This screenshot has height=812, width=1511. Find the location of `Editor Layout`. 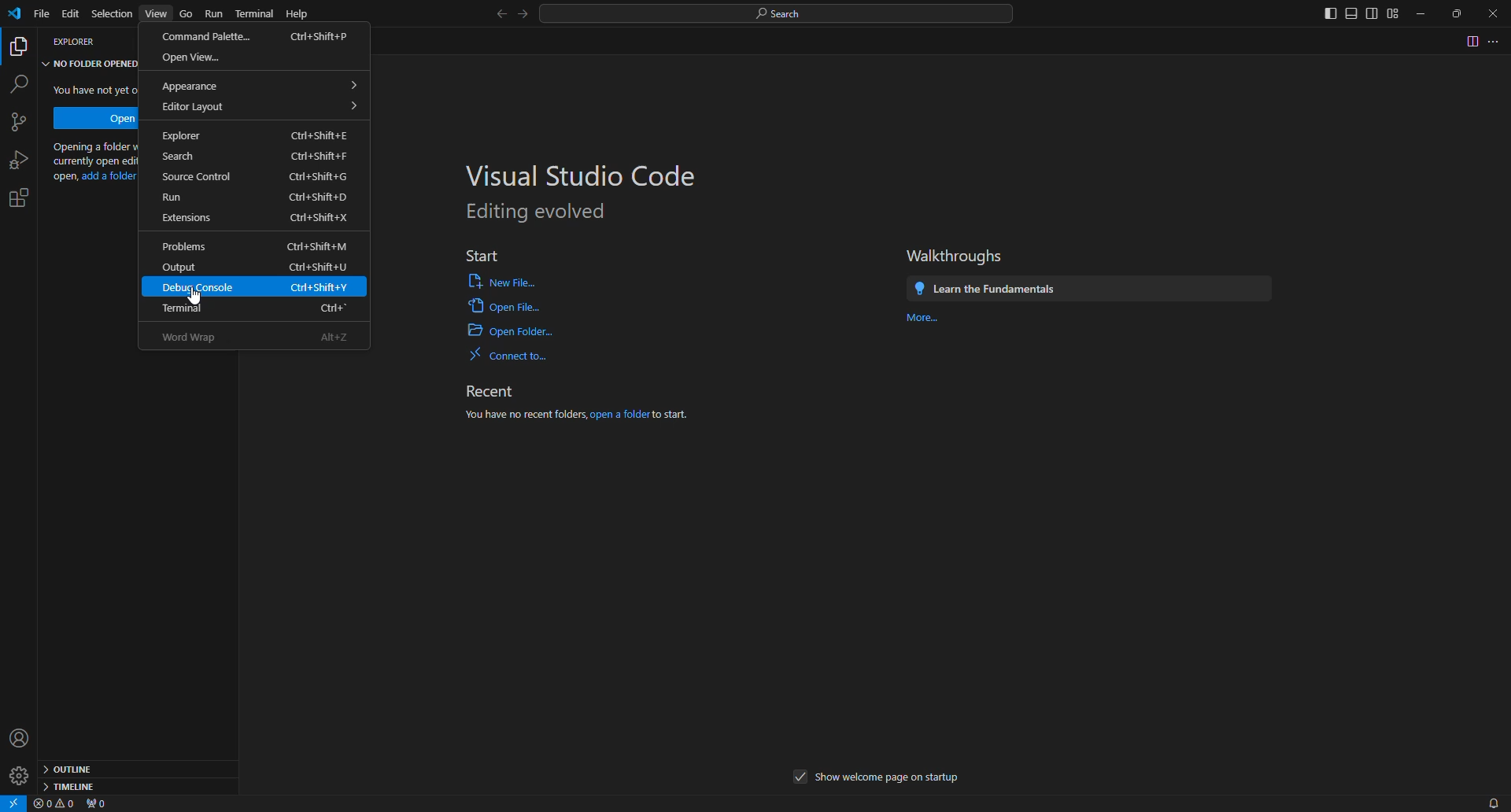

Editor Layout is located at coordinates (258, 107).